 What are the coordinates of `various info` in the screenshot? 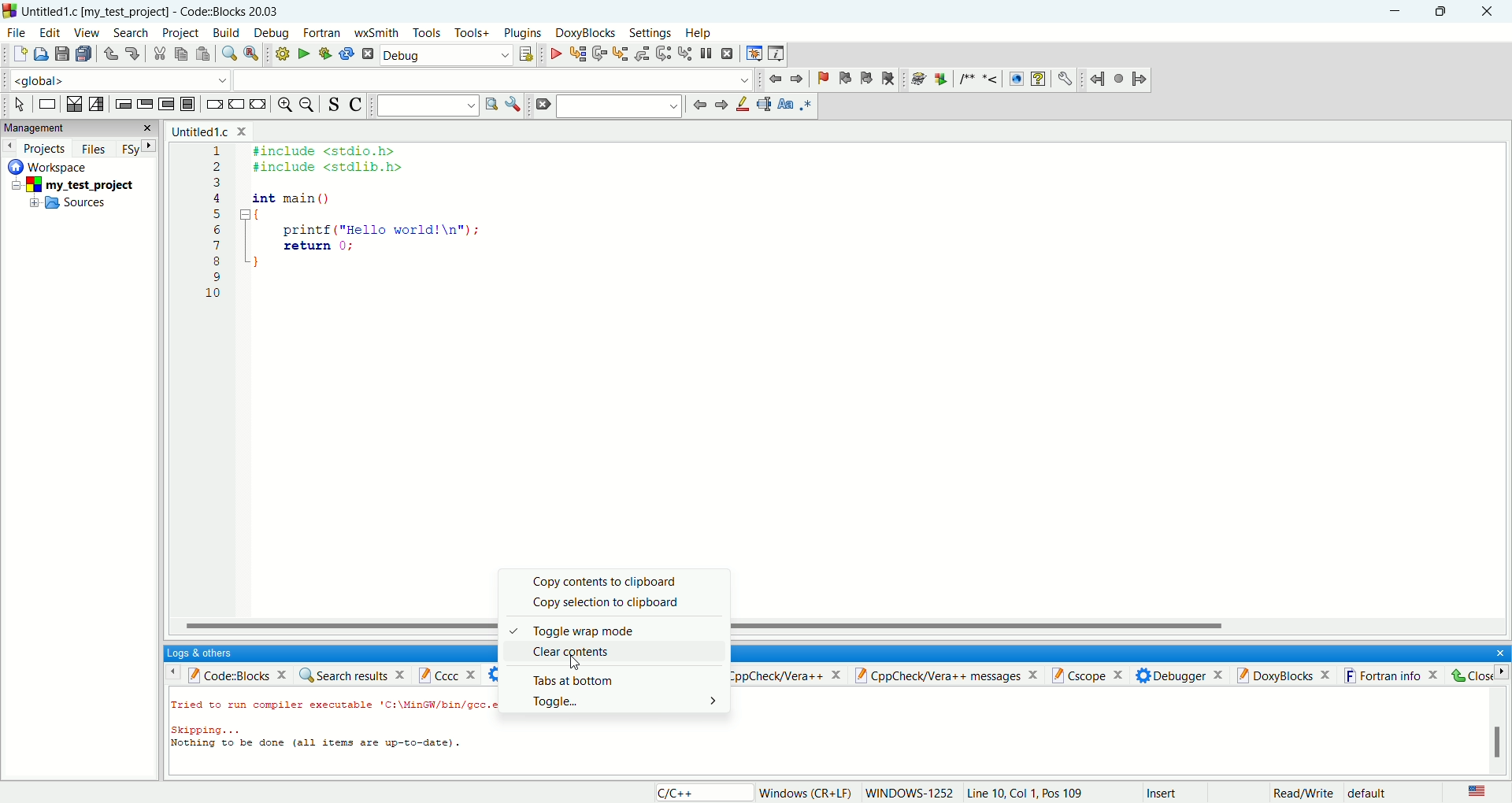 It's located at (775, 54).